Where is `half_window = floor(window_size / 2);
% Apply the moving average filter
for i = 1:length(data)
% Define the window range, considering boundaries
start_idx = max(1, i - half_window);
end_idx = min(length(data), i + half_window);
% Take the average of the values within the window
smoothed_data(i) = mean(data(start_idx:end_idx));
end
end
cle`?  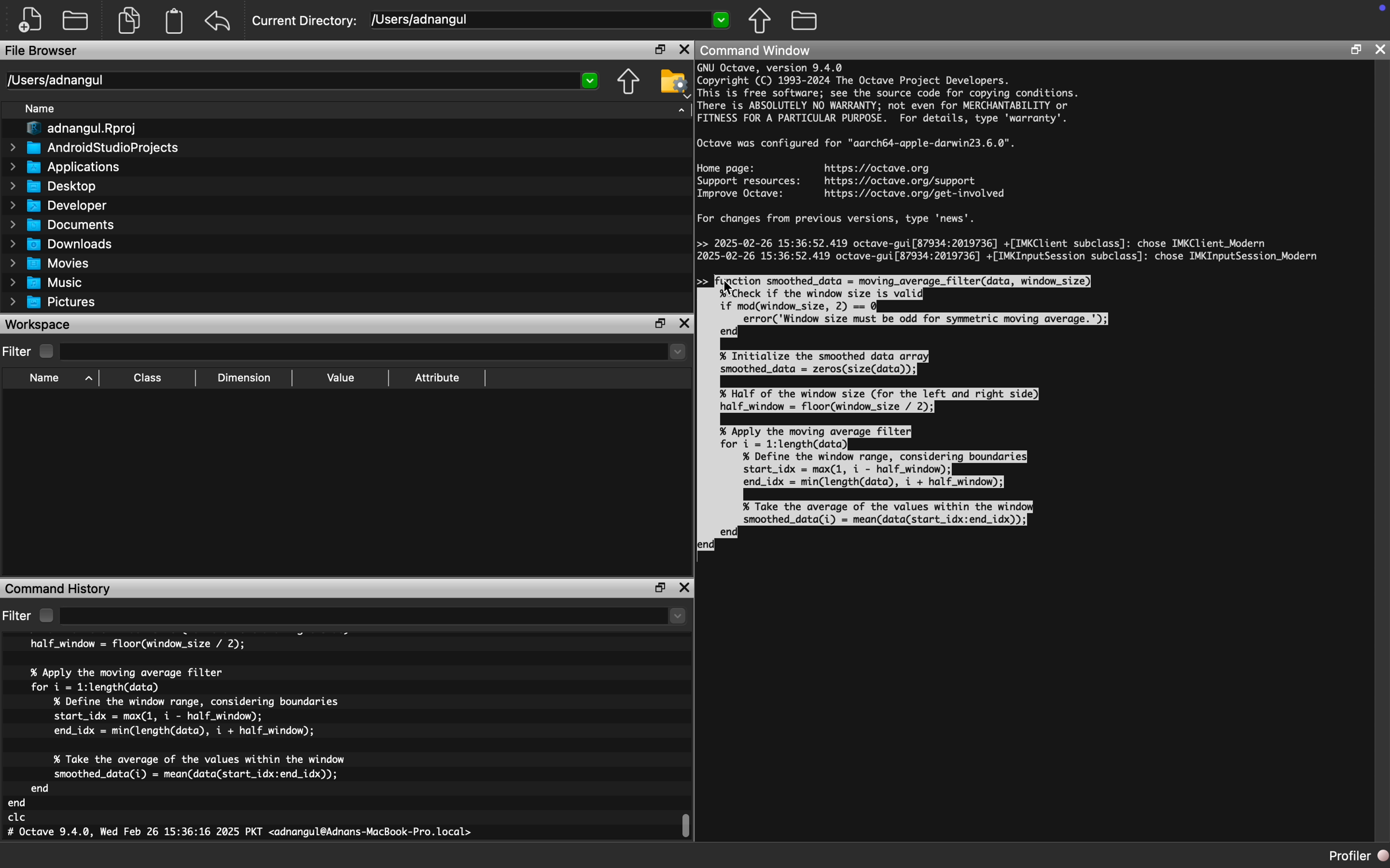
half_window = floor(window_size / 2);
% Apply the moving average filter
for i = 1:length(data)
% Define the window range, considering boundaries
start_idx = max(1, i - half_window);
end_idx = min(length(data), i + half_window);
% Take the average of the values within the window
smoothed_data(i) = mean(data(start_idx:end_idx));
end
end
cle is located at coordinates (182, 731).